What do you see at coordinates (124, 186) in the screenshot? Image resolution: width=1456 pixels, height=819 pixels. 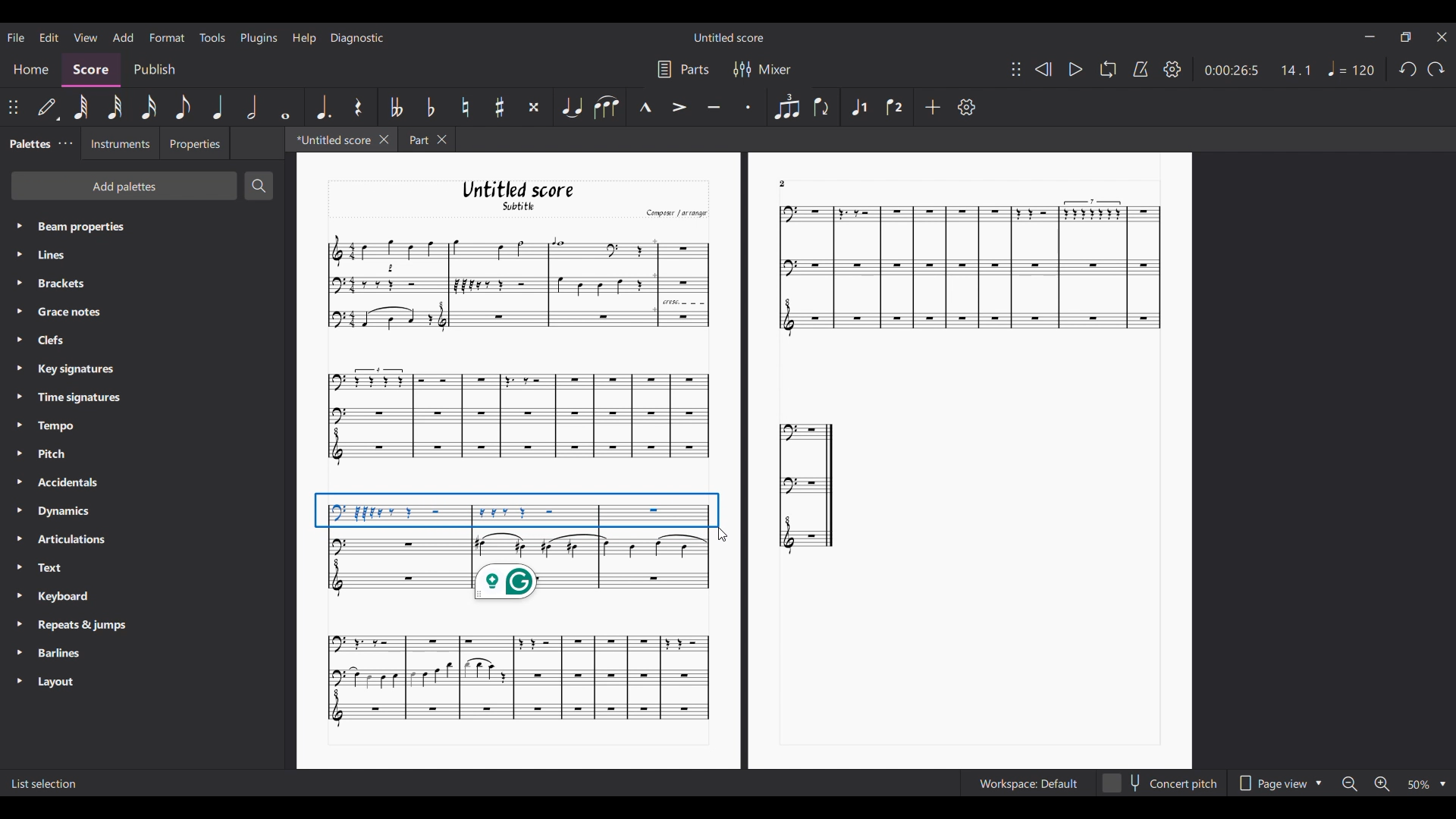 I see `Add palette` at bounding box center [124, 186].